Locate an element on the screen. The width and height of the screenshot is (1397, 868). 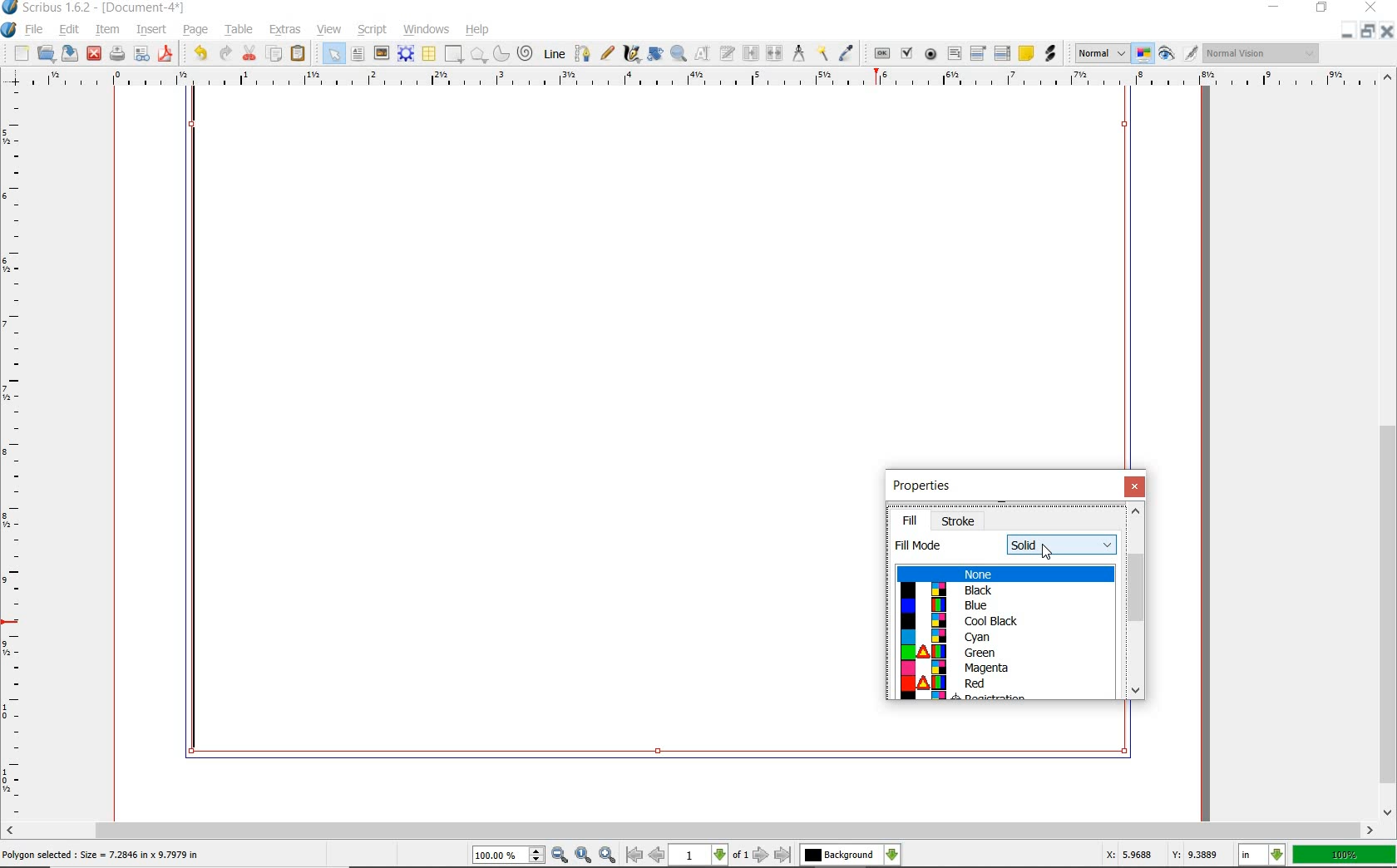
close is located at coordinates (1388, 31).